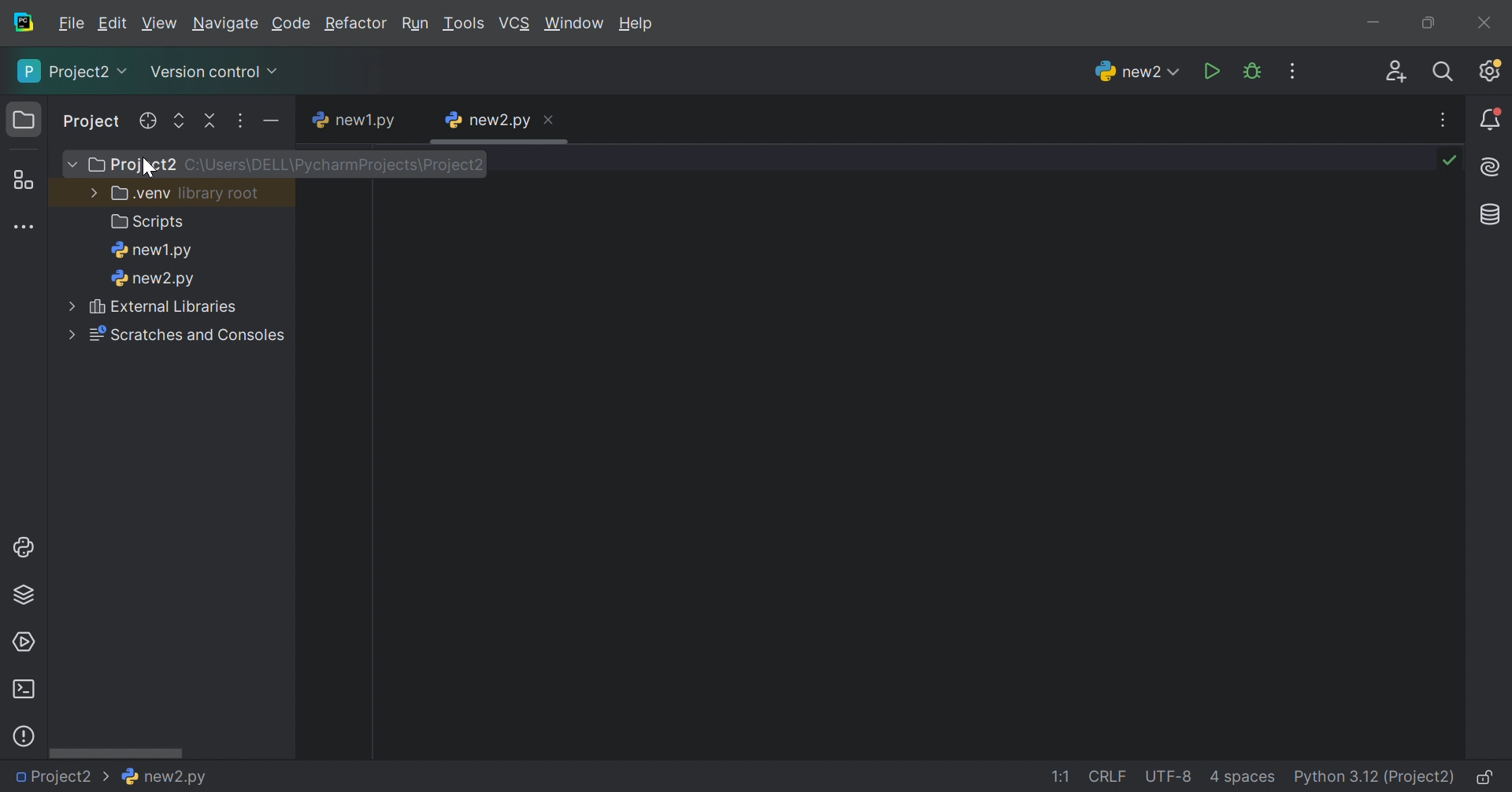 The image size is (1512, 792). Describe the element at coordinates (1140, 70) in the screenshot. I see `new2` at that location.